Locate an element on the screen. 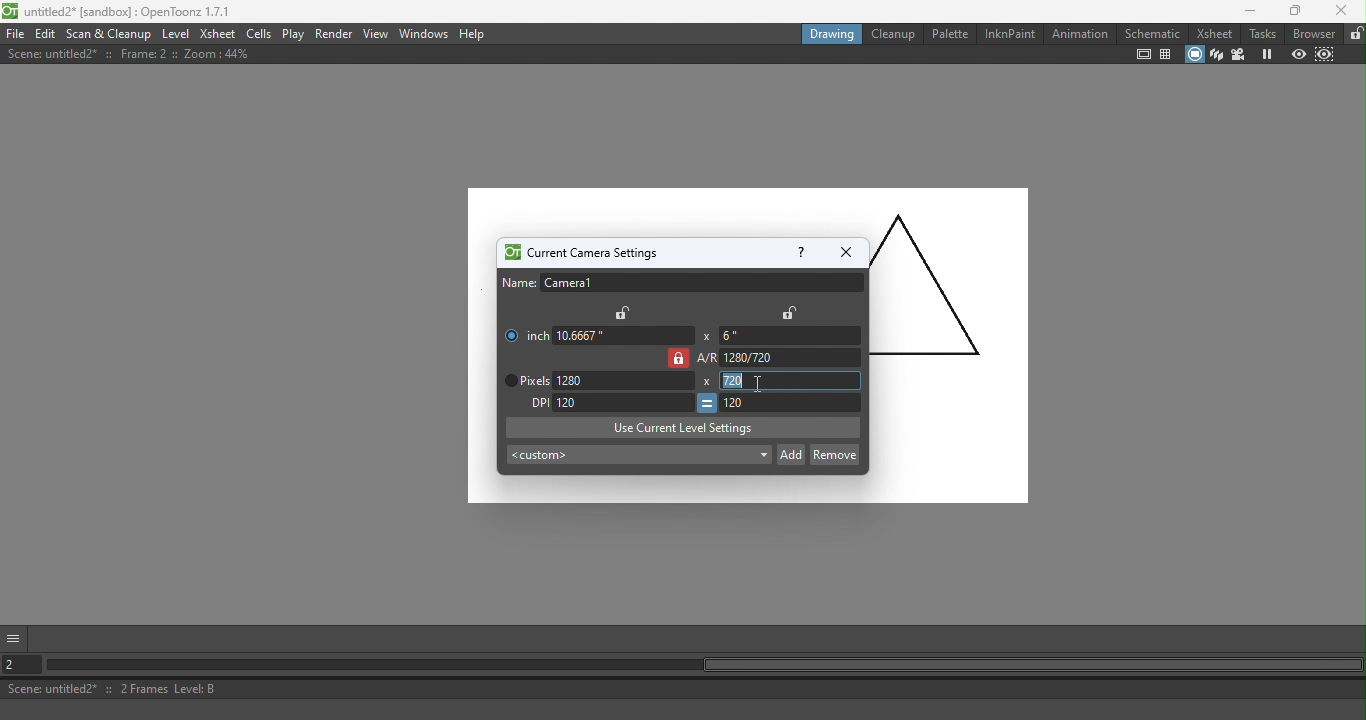 The height and width of the screenshot is (720, 1366). canvas is located at coordinates (665, 211).